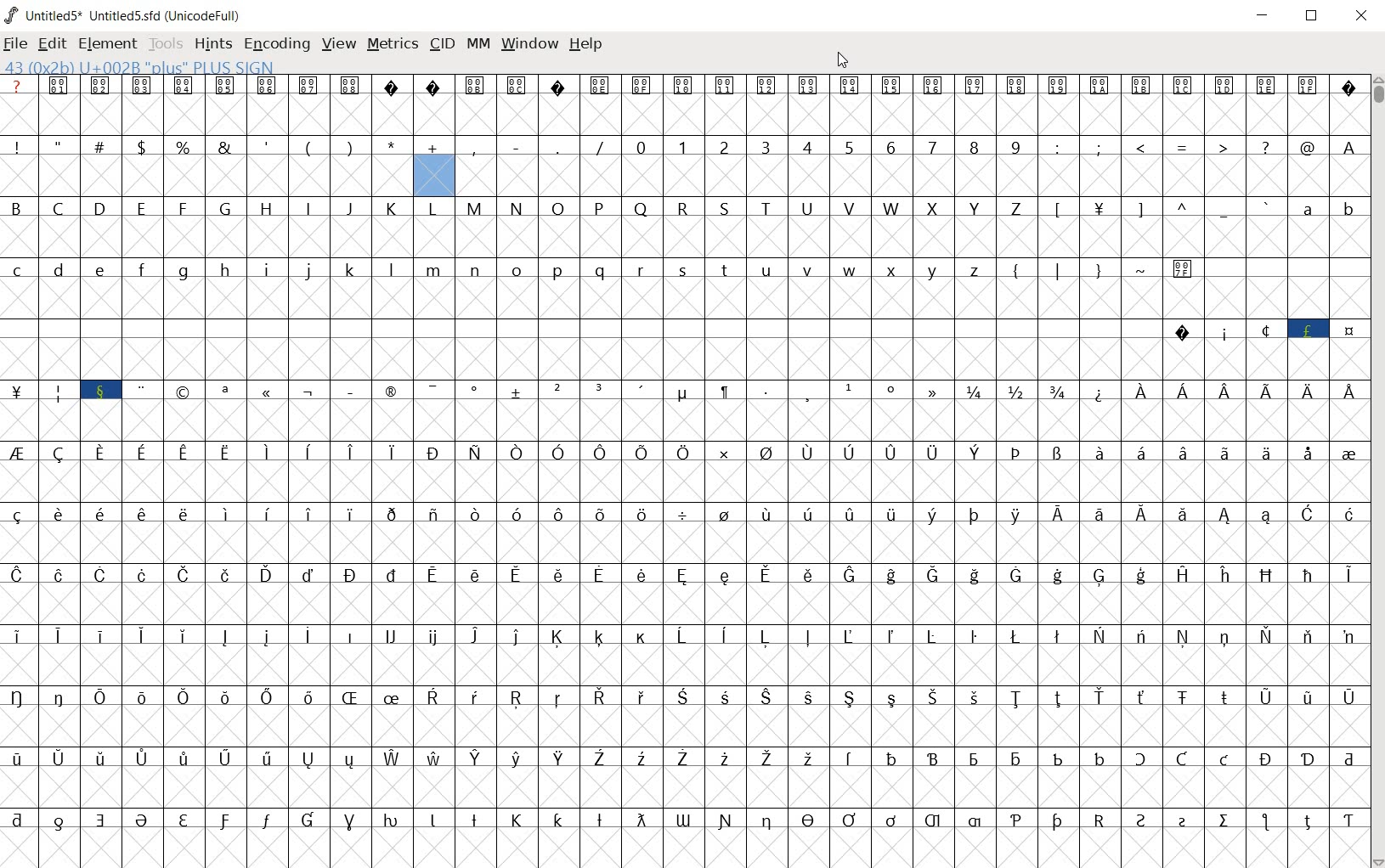 The height and width of the screenshot is (868, 1385). I want to click on addition, so click(434, 165).